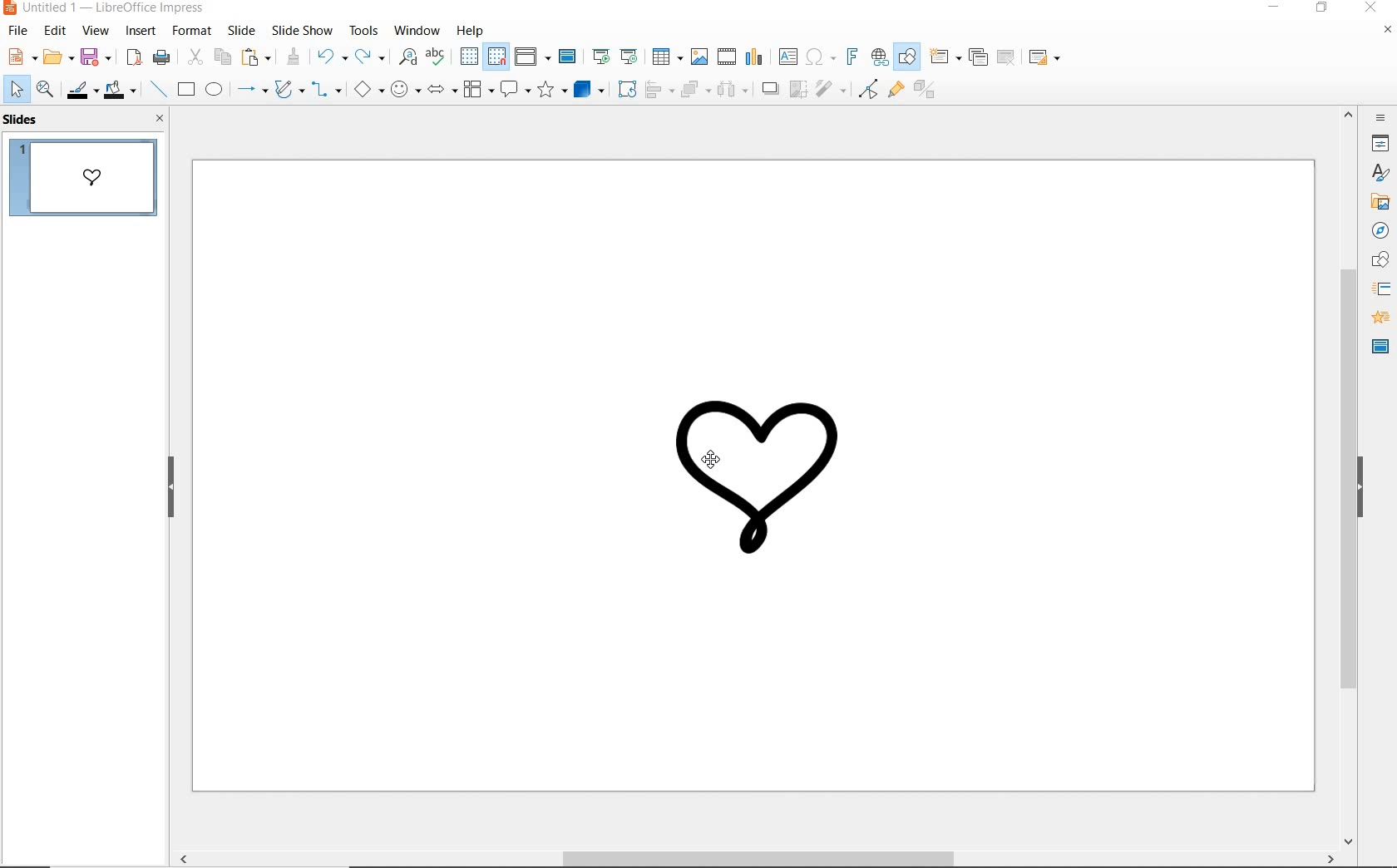 This screenshot has width=1397, height=868. Describe the element at coordinates (532, 57) in the screenshot. I see `display views` at that location.